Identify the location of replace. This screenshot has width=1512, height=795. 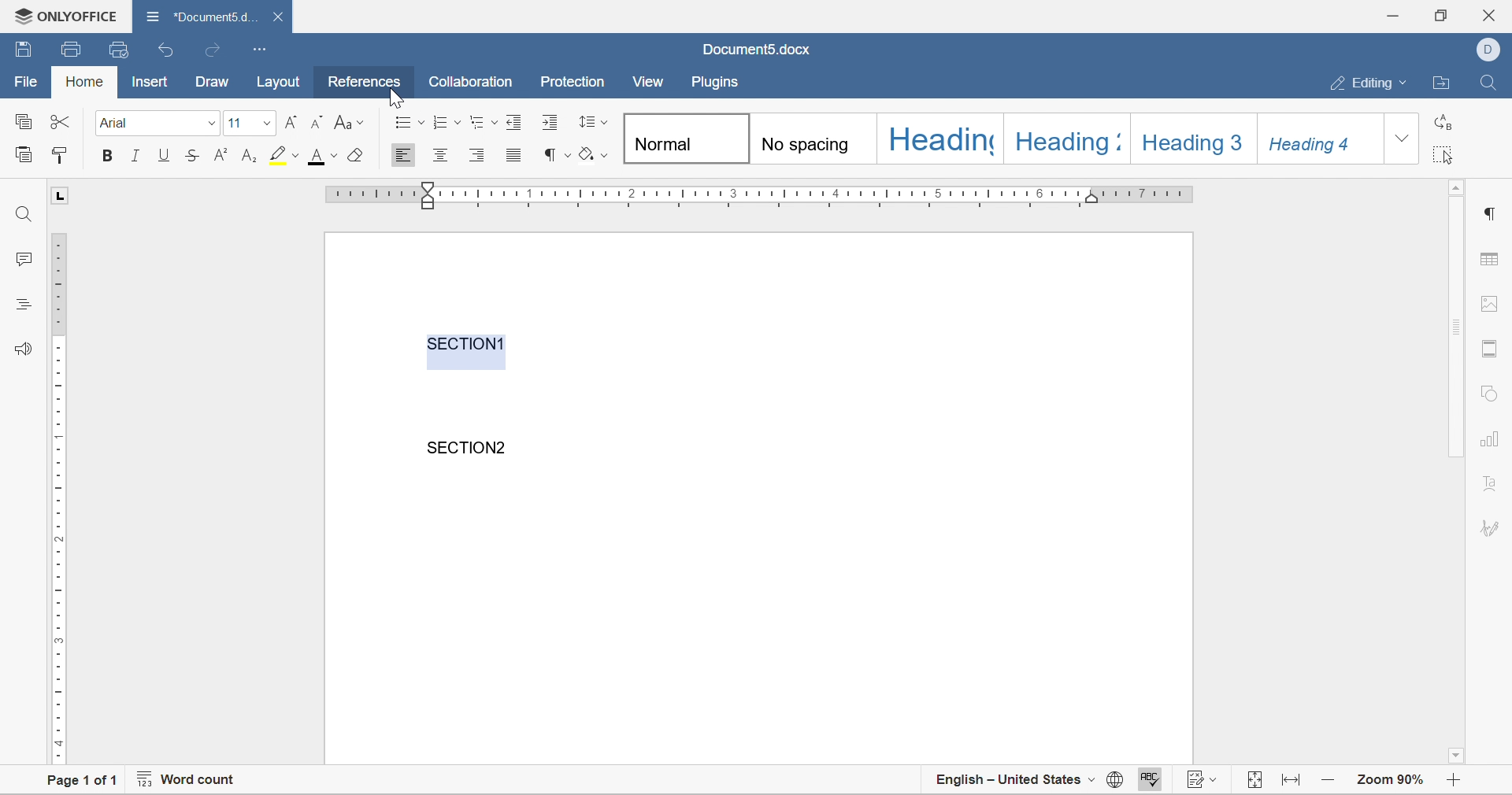
(1440, 126).